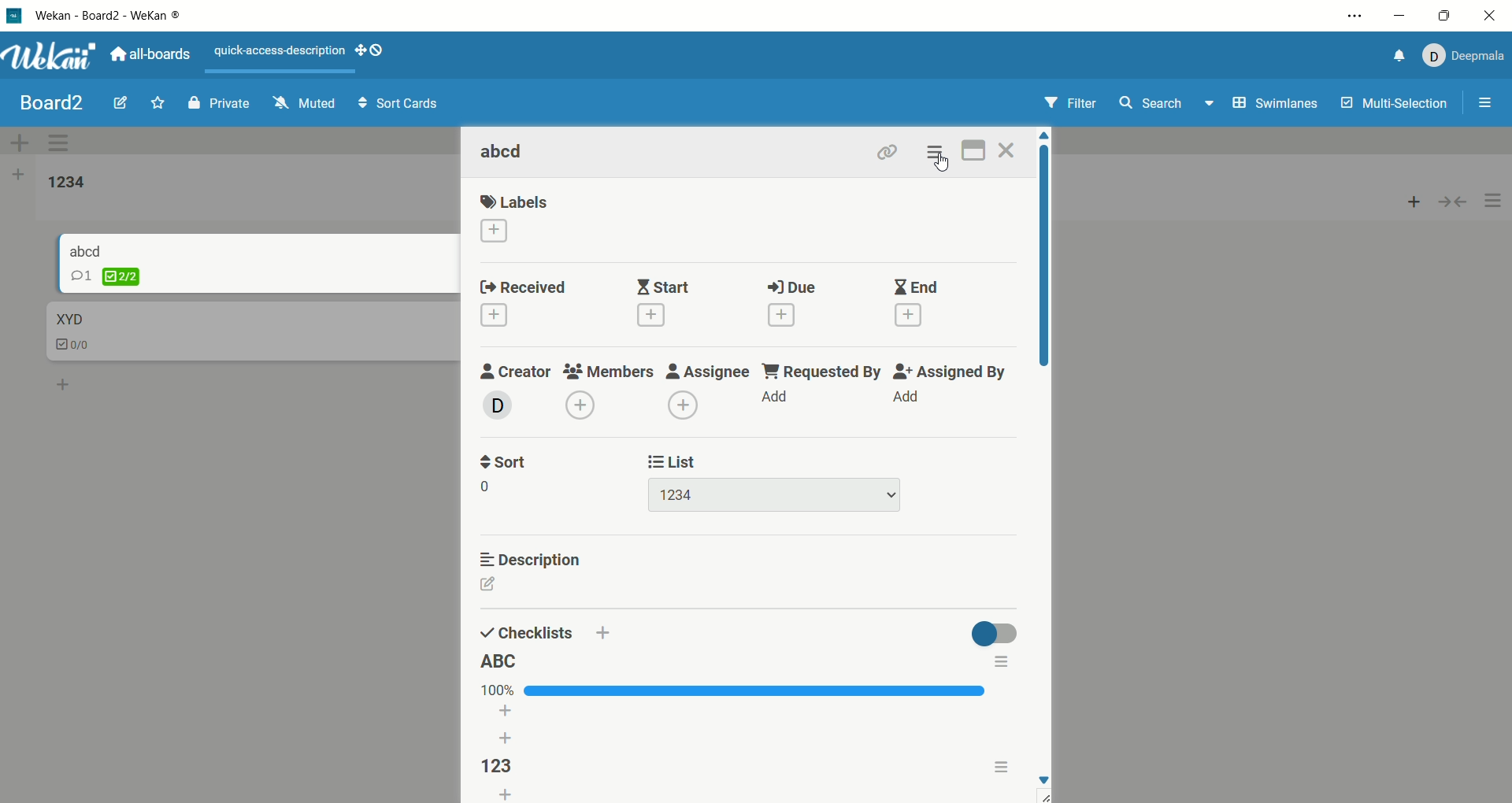 The height and width of the screenshot is (803, 1512). What do you see at coordinates (72, 341) in the screenshot?
I see `checklist` at bounding box center [72, 341].